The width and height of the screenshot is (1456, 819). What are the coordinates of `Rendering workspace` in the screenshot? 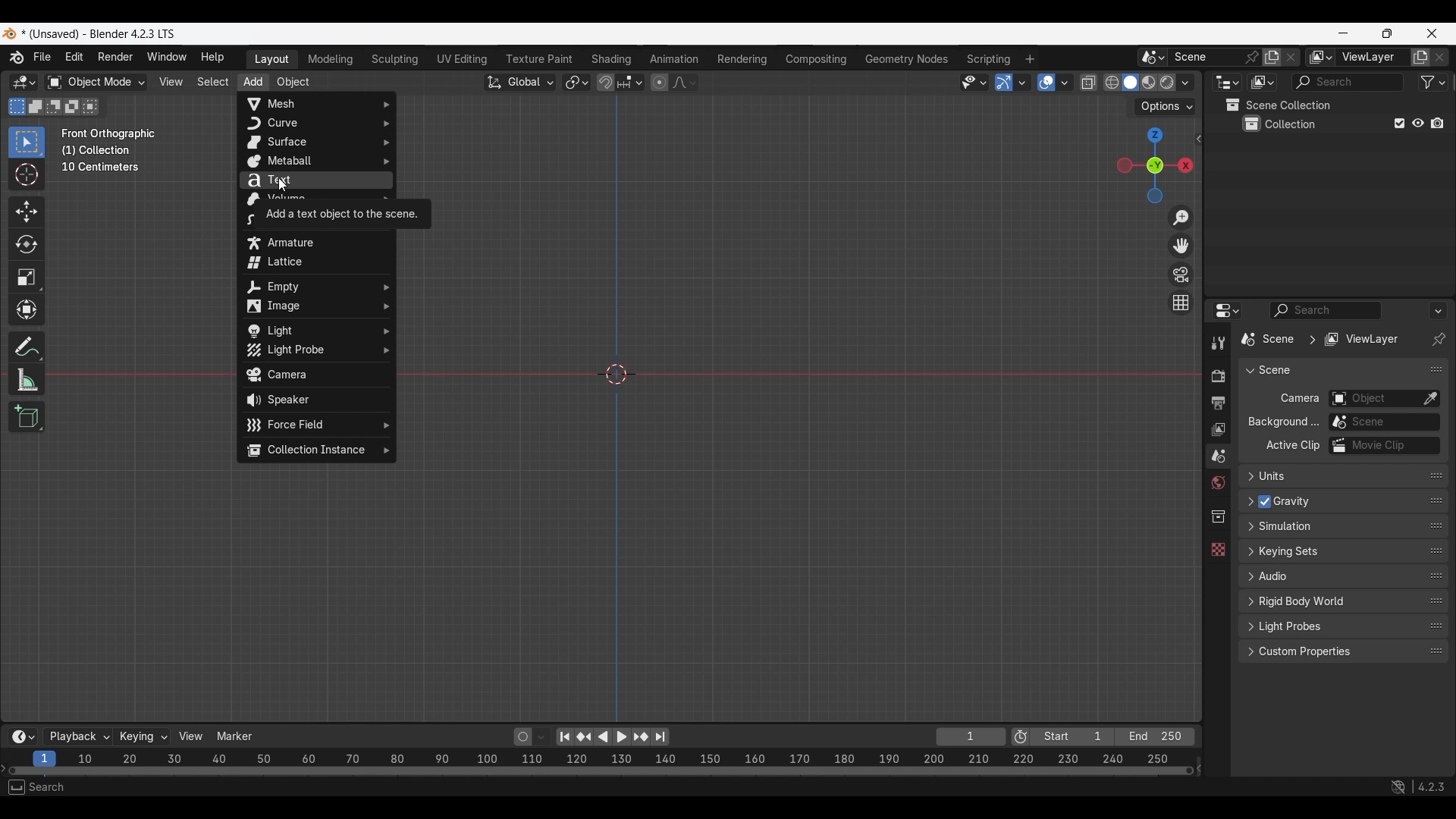 It's located at (742, 58).